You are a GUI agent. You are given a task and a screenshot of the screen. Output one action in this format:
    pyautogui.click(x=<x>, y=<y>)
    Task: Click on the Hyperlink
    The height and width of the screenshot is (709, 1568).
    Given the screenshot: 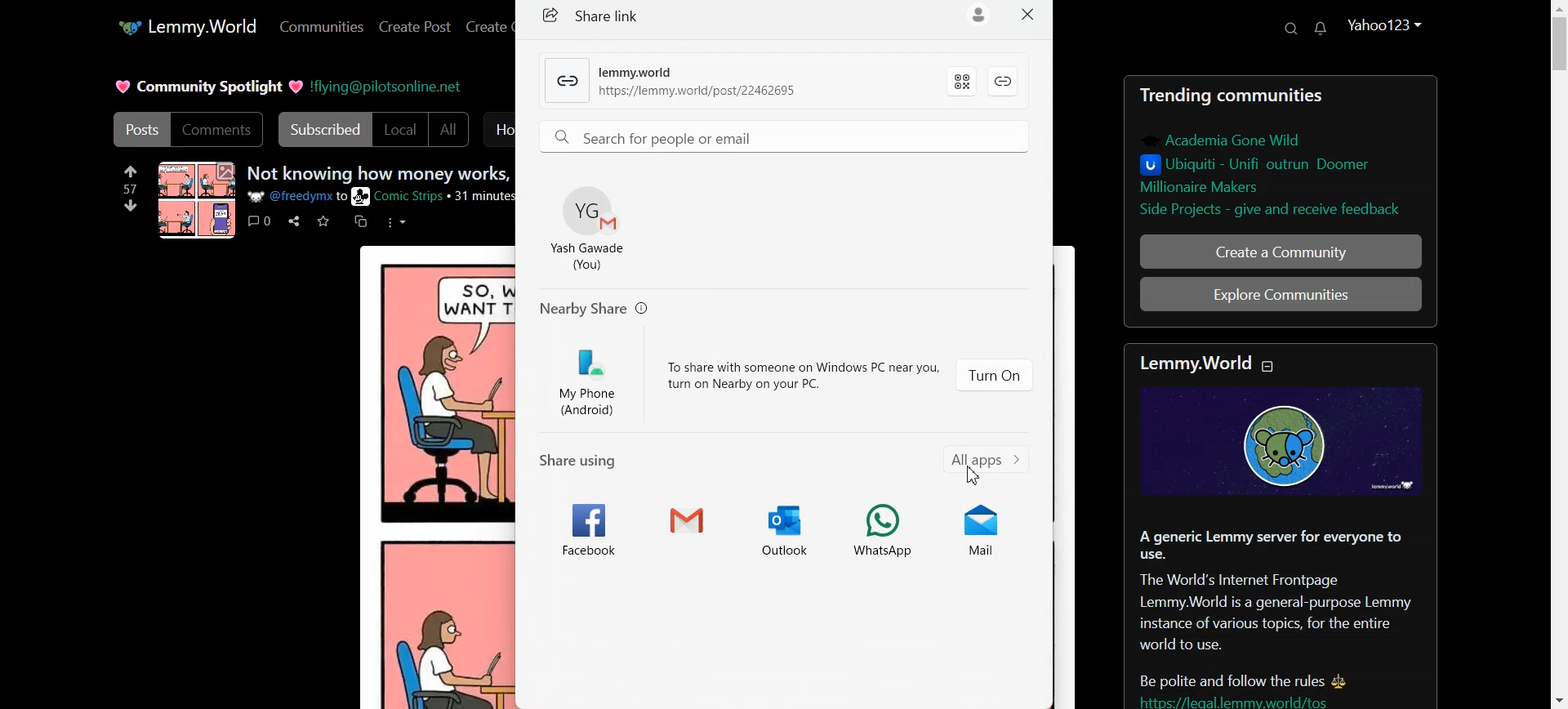 What is the action you would take?
    pyautogui.click(x=670, y=82)
    